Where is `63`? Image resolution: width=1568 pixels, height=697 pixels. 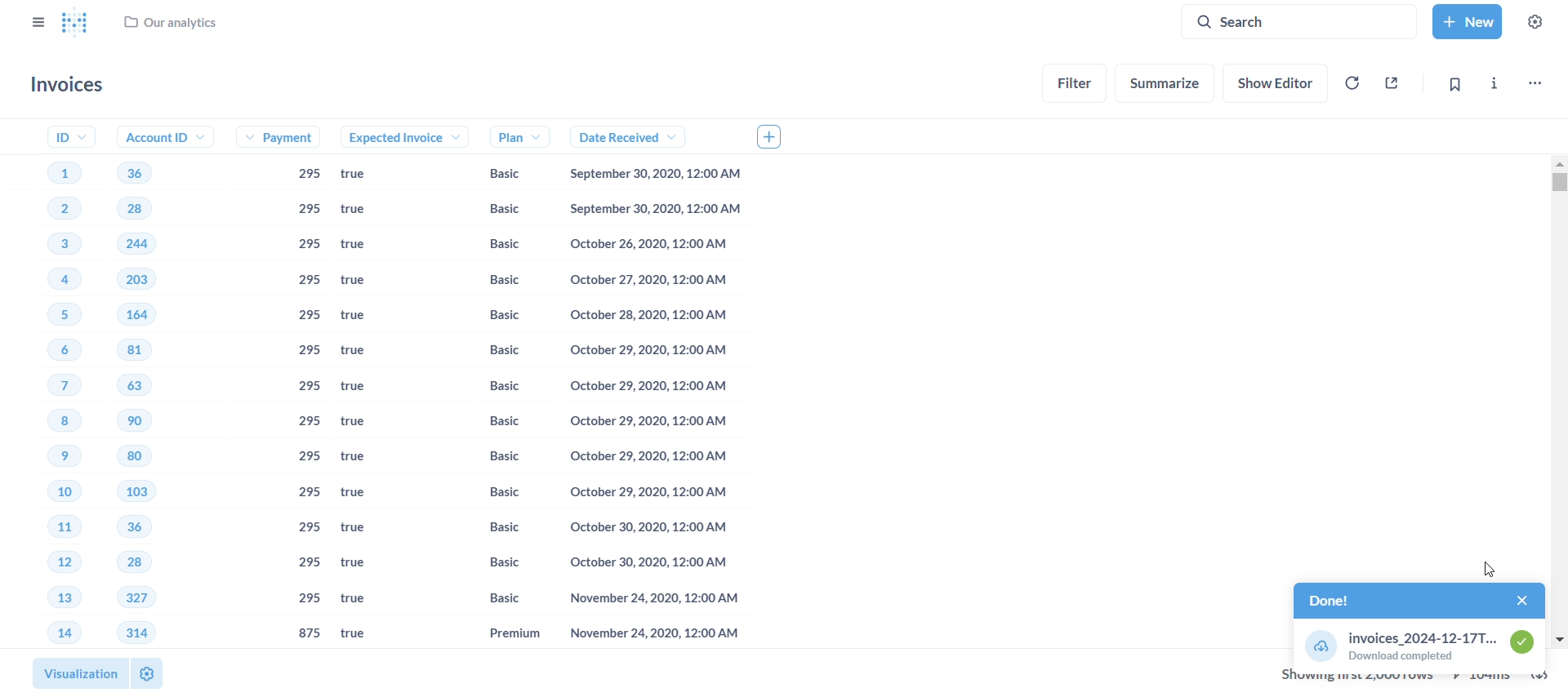 63 is located at coordinates (140, 384).